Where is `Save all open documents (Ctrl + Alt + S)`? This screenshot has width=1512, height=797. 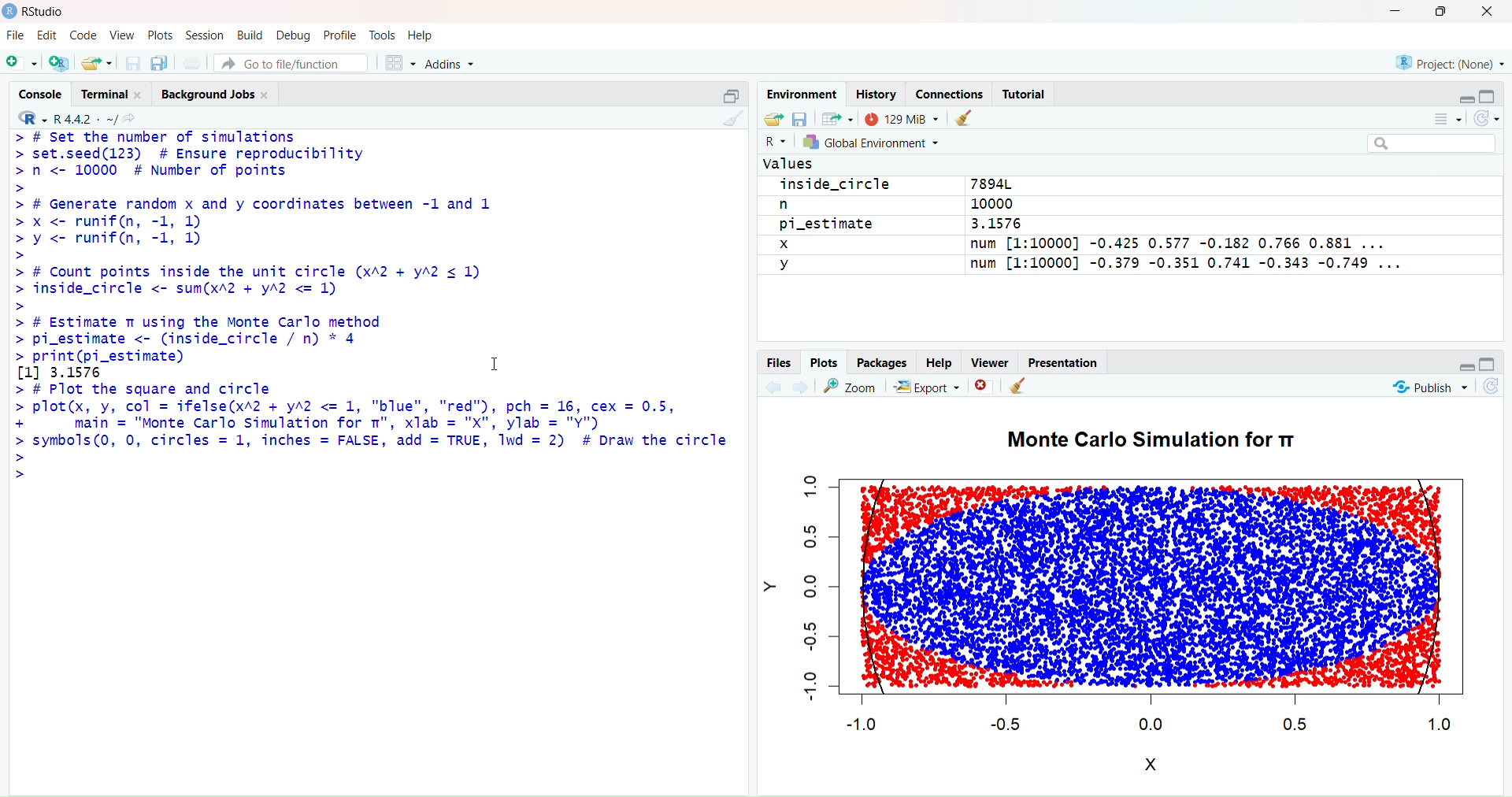
Save all open documents (Ctrl + Alt + S) is located at coordinates (161, 61).